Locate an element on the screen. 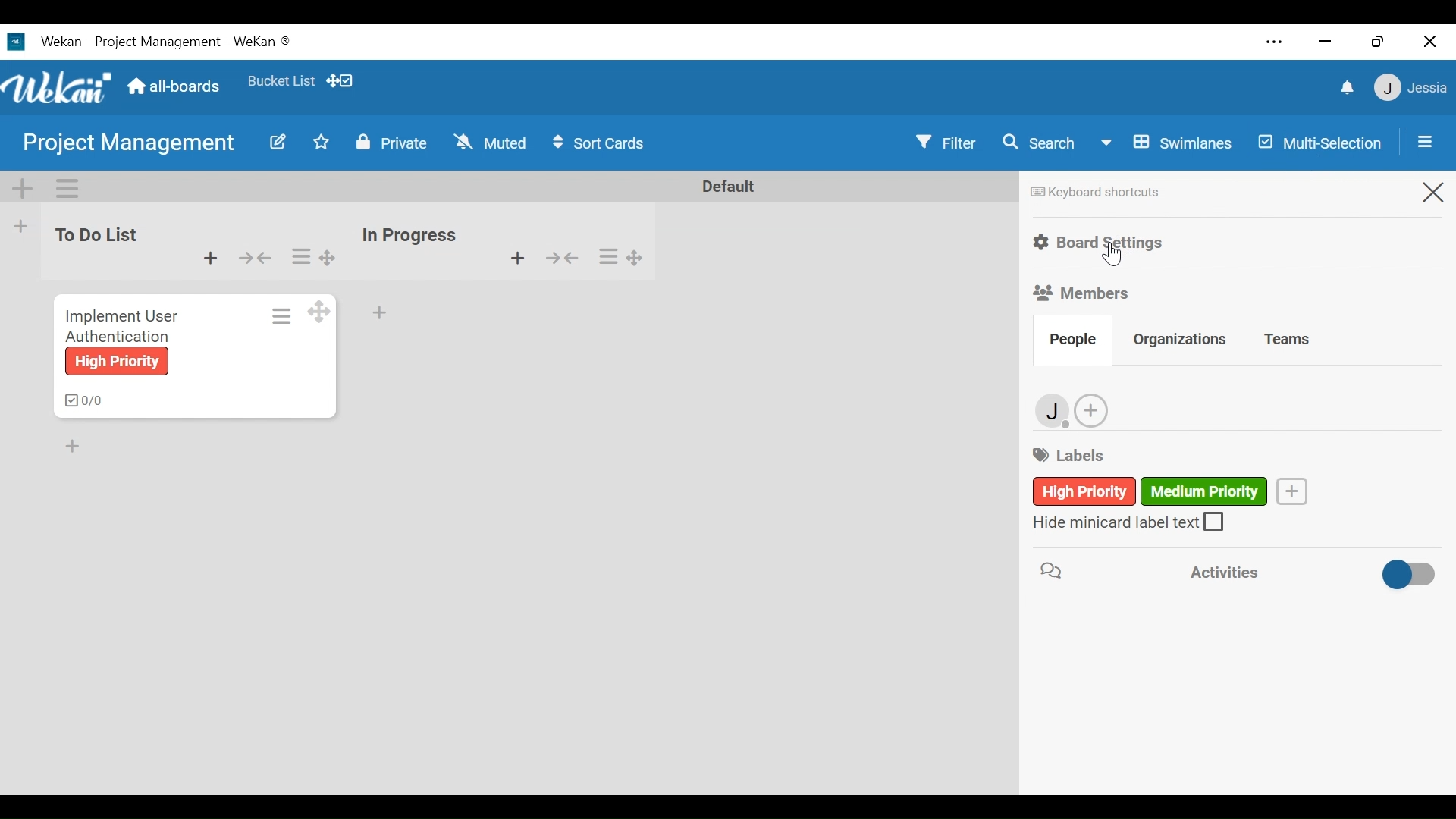 This screenshot has width=1456, height=819. member is located at coordinates (1053, 412).